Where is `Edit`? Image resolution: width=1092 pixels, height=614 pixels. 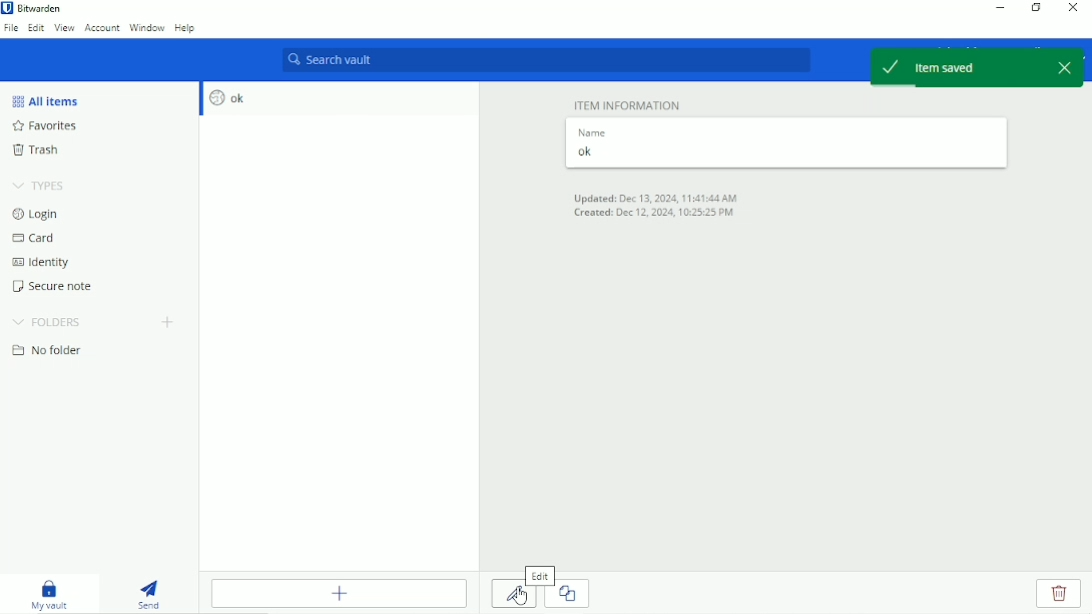
Edit is located at coordinates (507, 594).